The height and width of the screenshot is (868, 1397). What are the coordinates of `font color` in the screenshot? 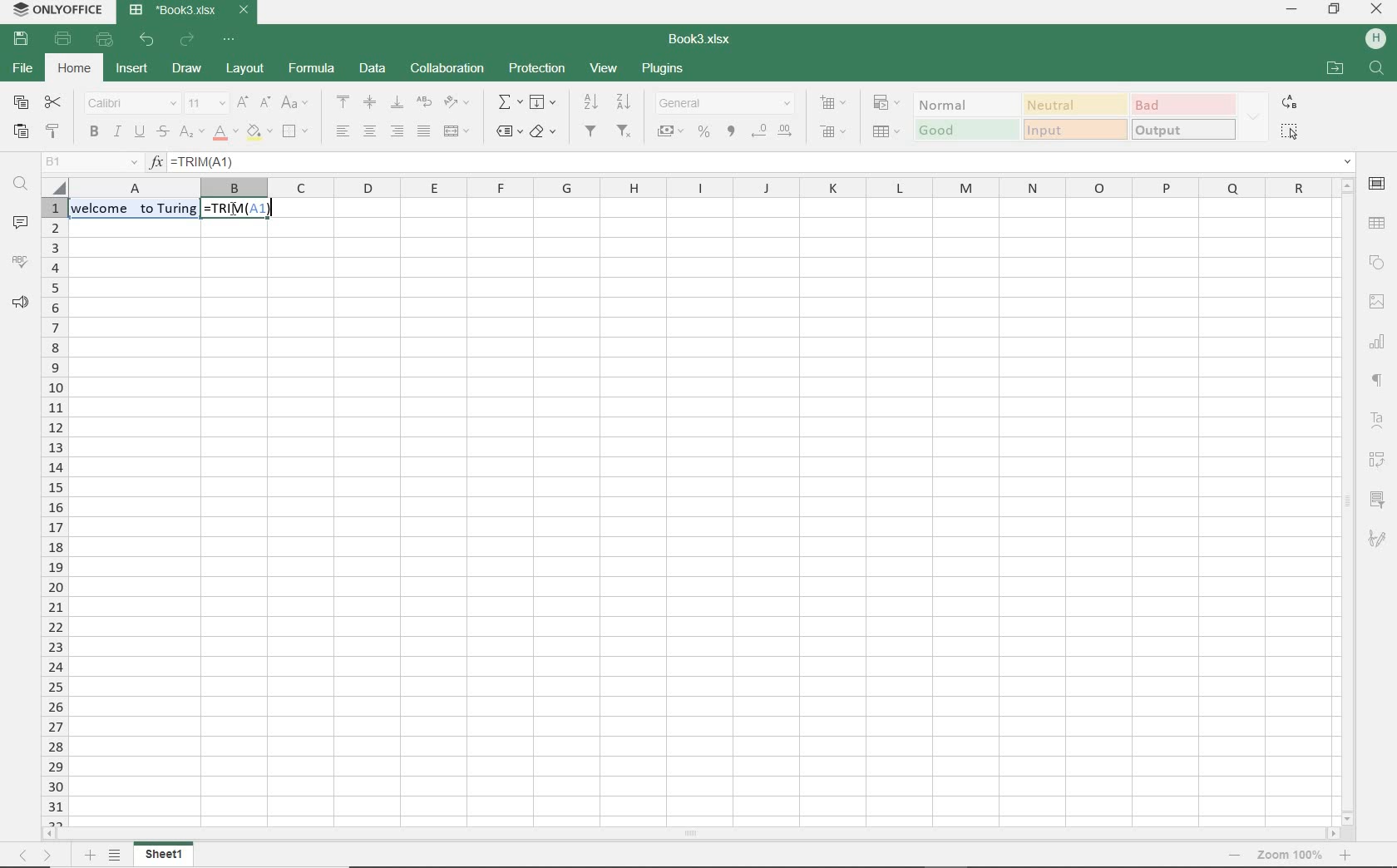 It's located at (225, 132).